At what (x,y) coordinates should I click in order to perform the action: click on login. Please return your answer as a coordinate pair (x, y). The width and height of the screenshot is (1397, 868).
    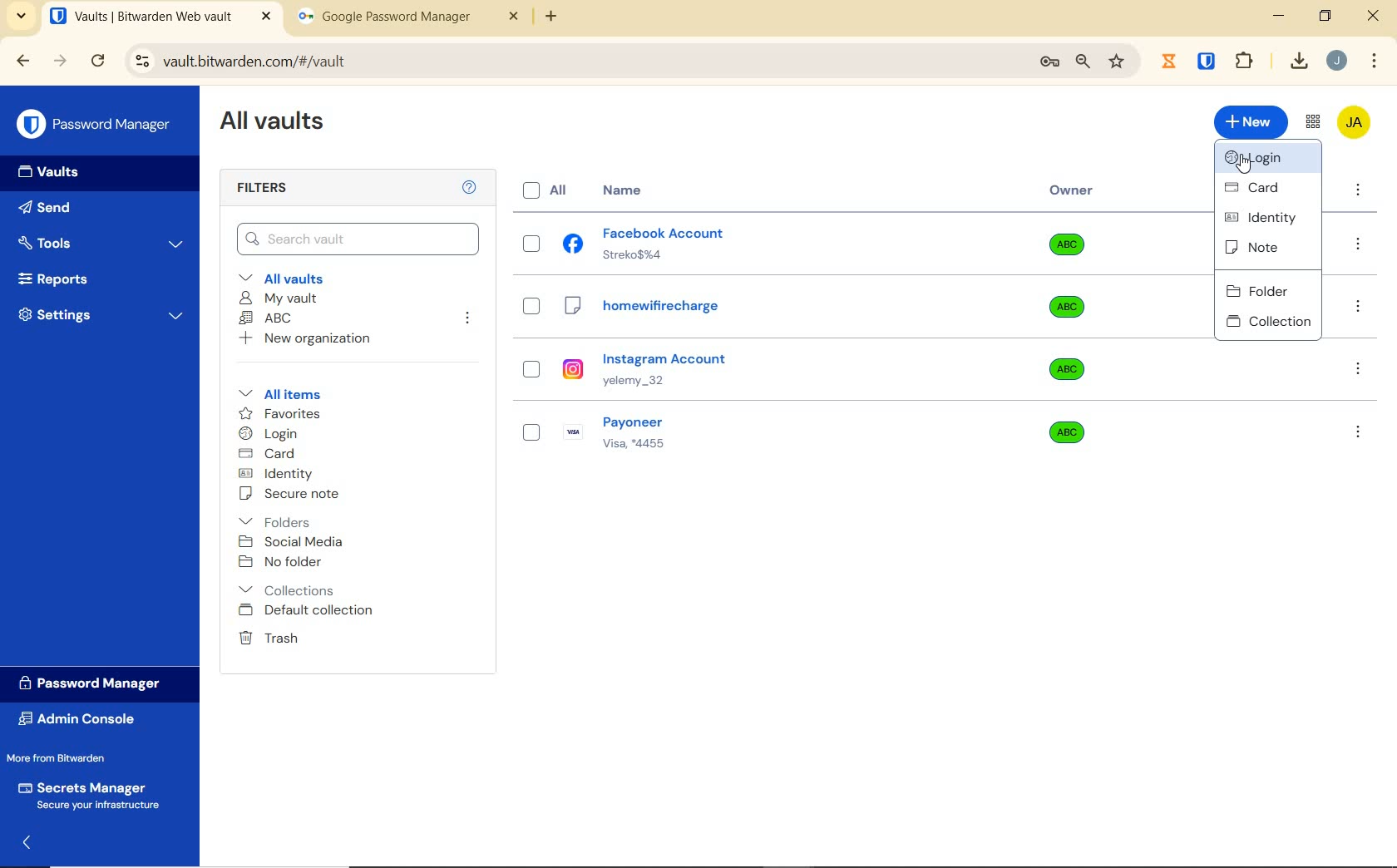
    Looking at the image, I should click on (268, 435).